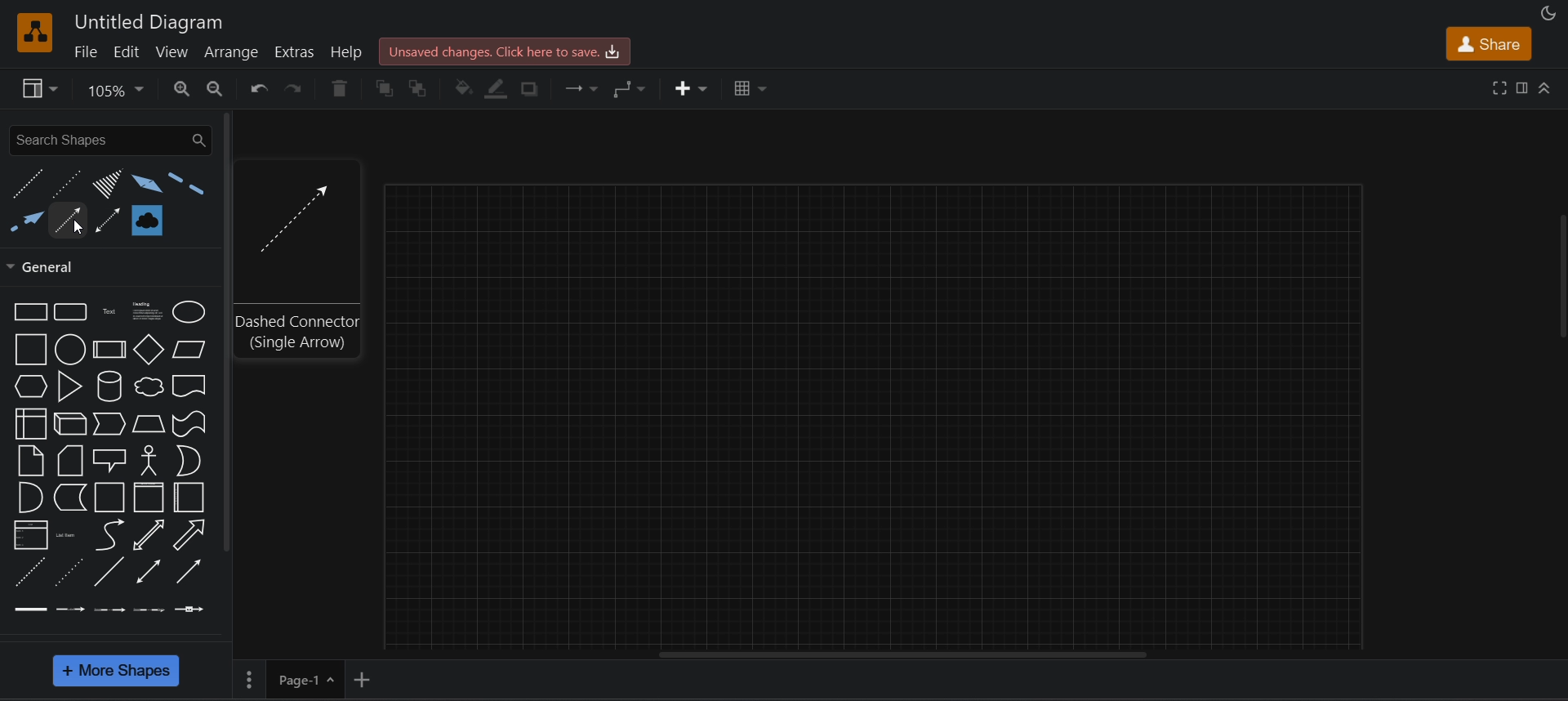  Describe the element at coordinates (183, 89) in the screenshot. I see `zoom in` at that location.